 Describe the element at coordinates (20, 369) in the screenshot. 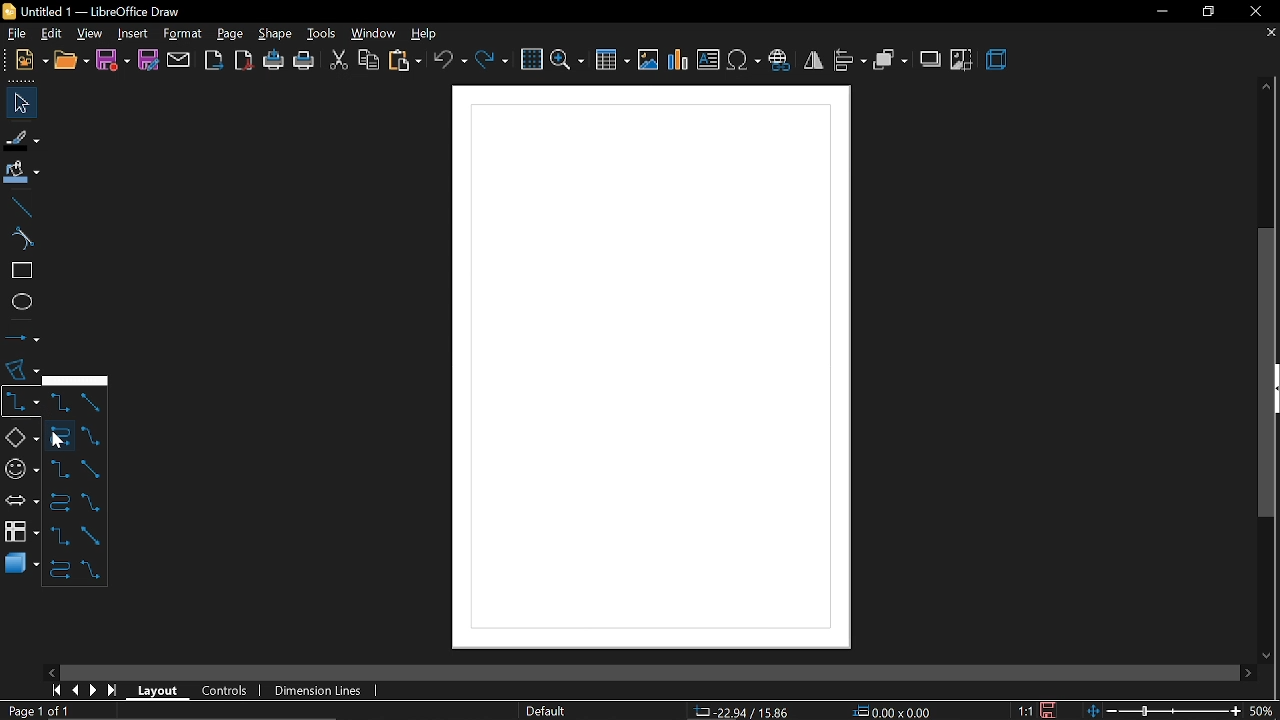

I see `curves and polygons` at that location.